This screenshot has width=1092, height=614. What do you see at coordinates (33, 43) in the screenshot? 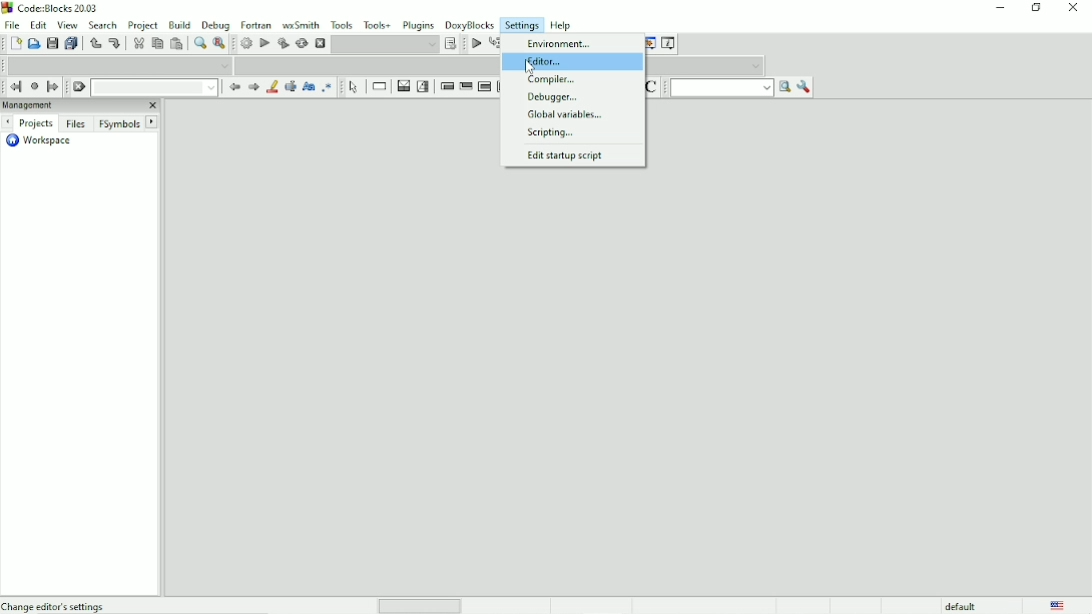
I see `Open` at bounding box center [33, 43].